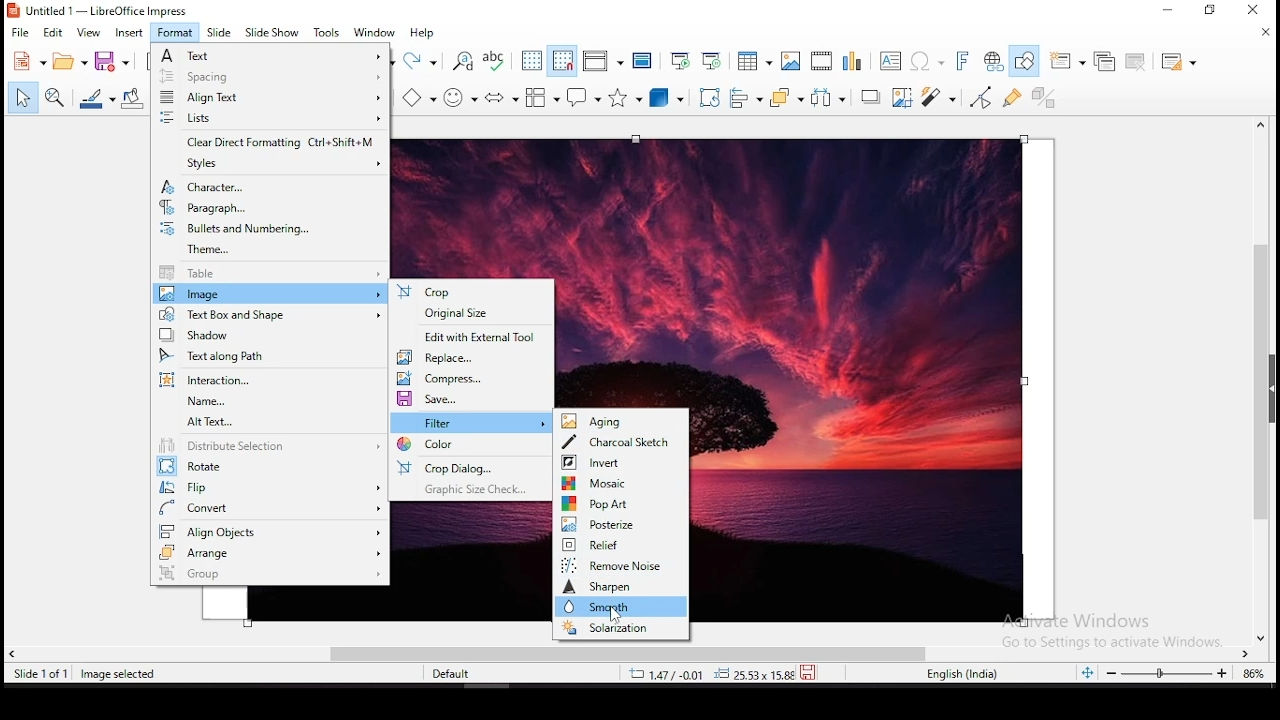  What do you see at coordinates (621, 421) in the screenshot?
I see `aging` at bounding box center [621, 421].